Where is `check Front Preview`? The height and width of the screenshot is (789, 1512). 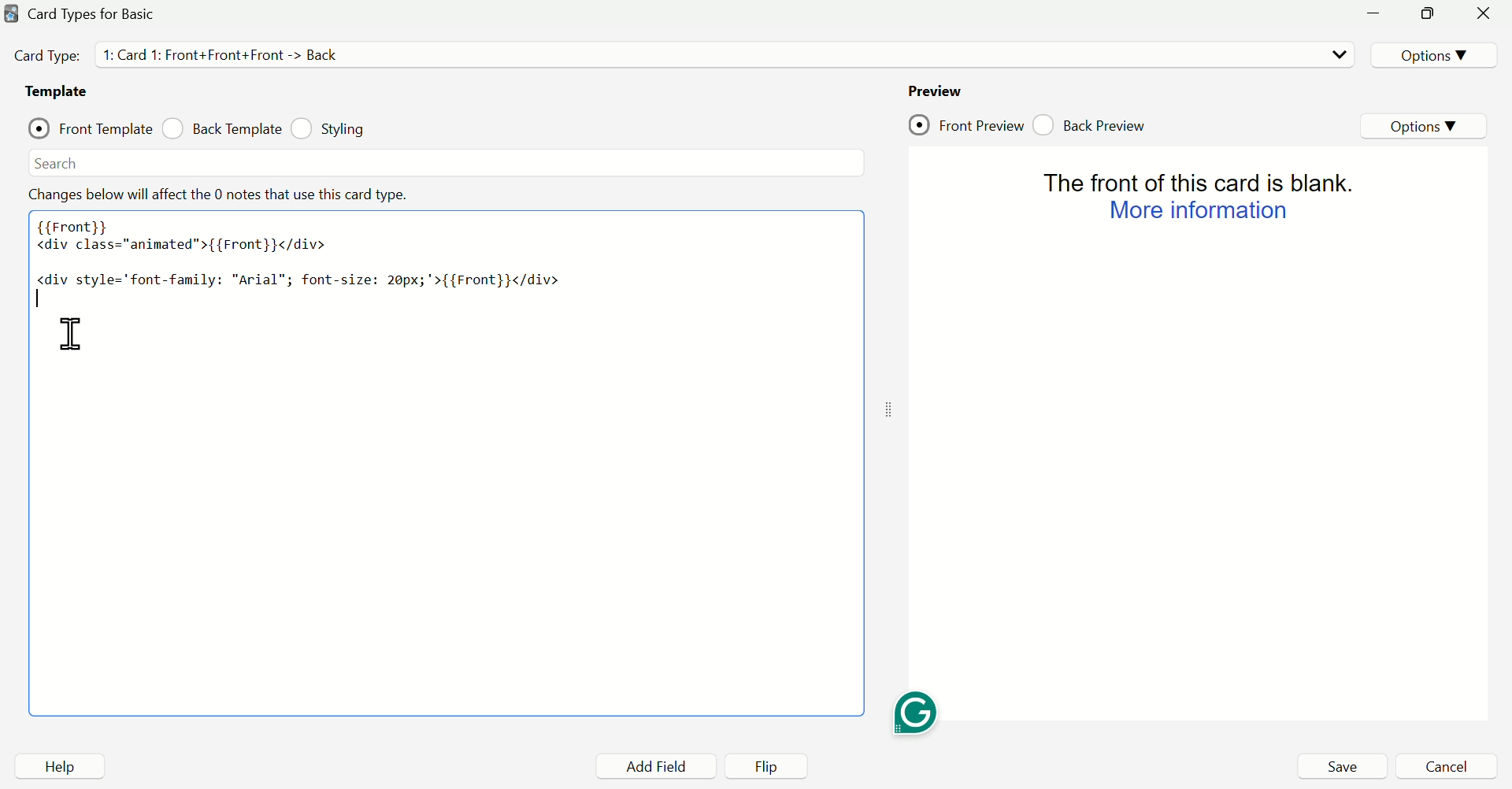 check Front Preview is located at coordinates (966, 122).